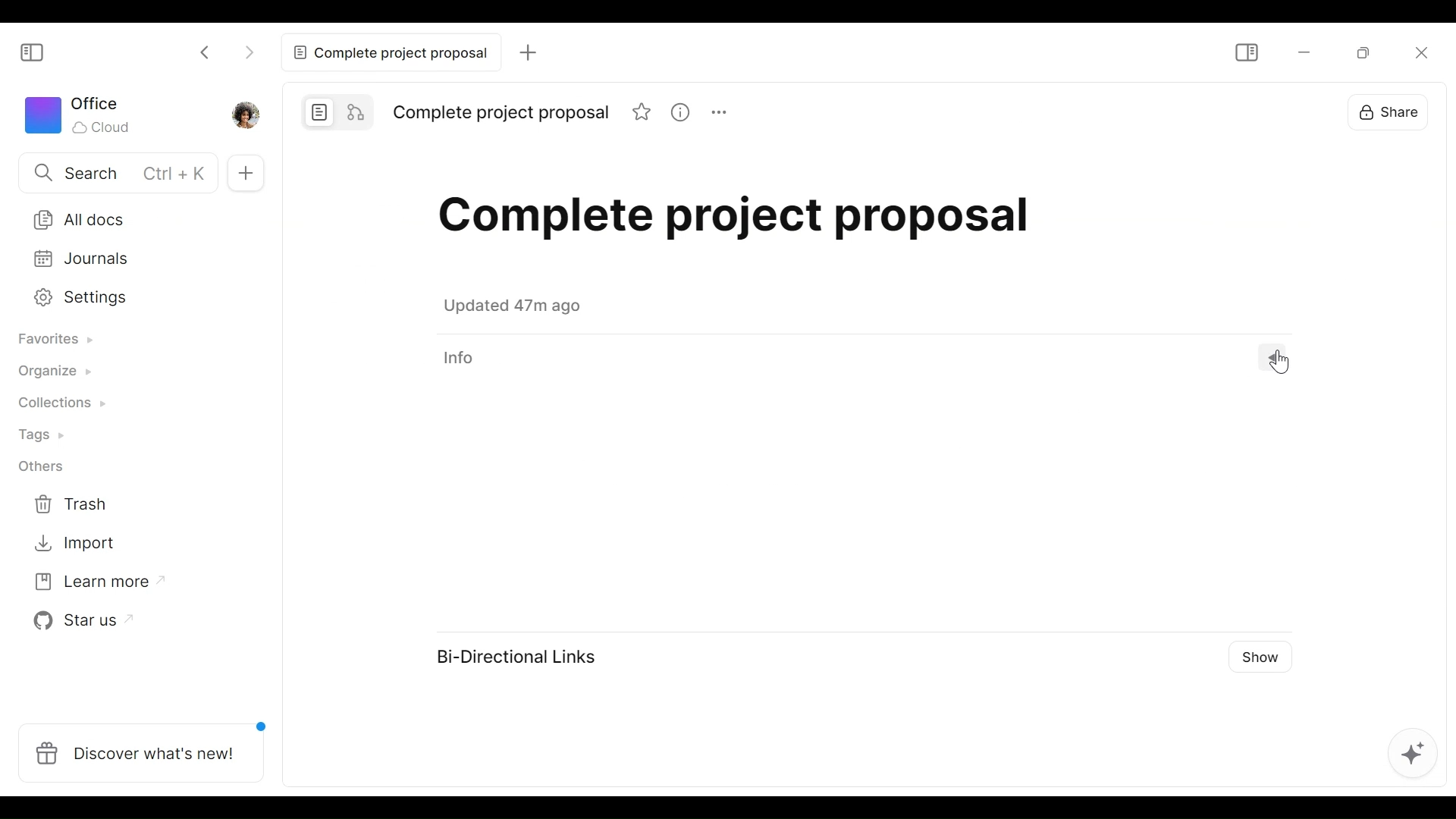  Describe the element at coordinates (1248, 52) in the screenshot. I see `Show/Hide Sidebar` at that location.